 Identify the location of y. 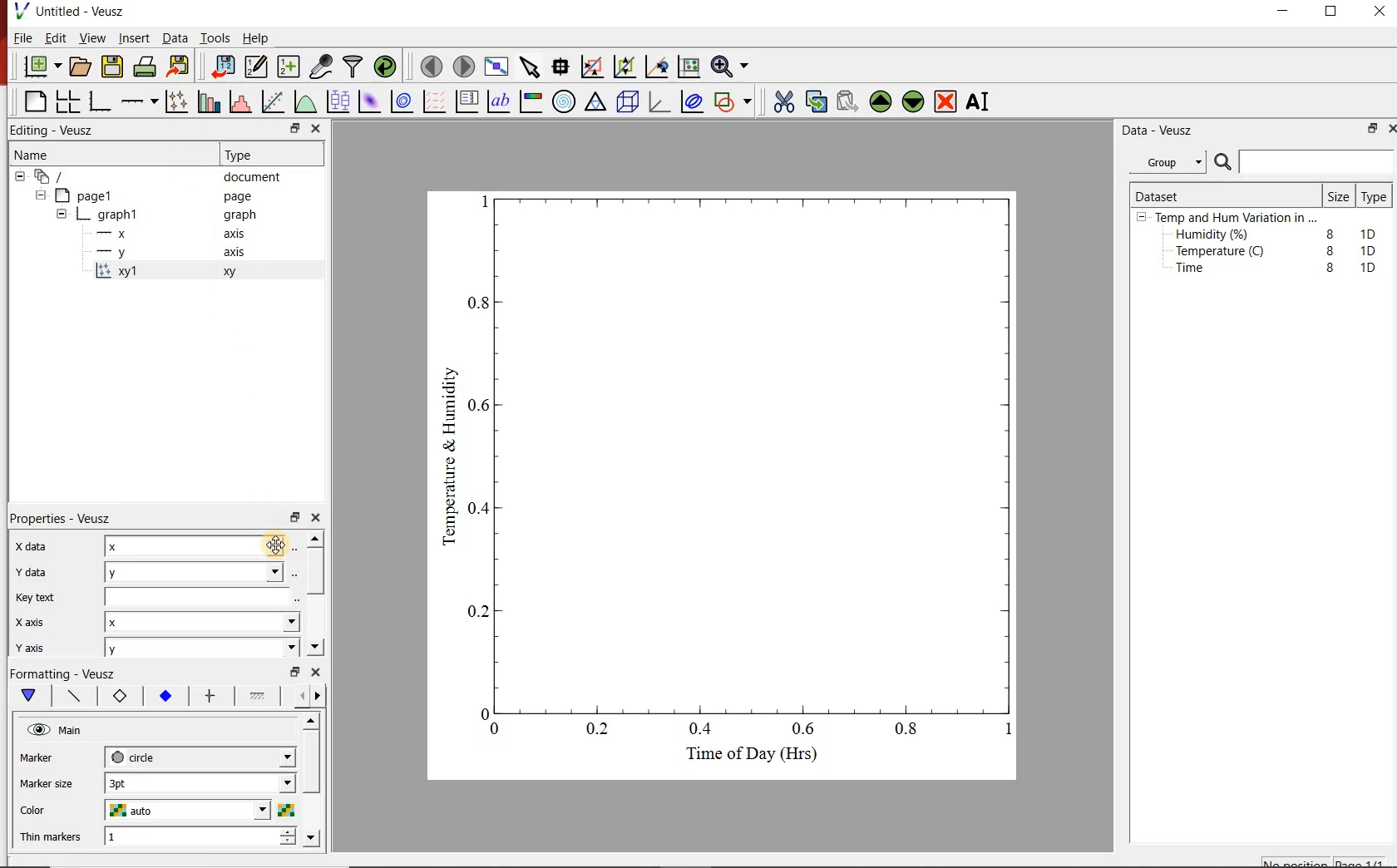
(126, 252).